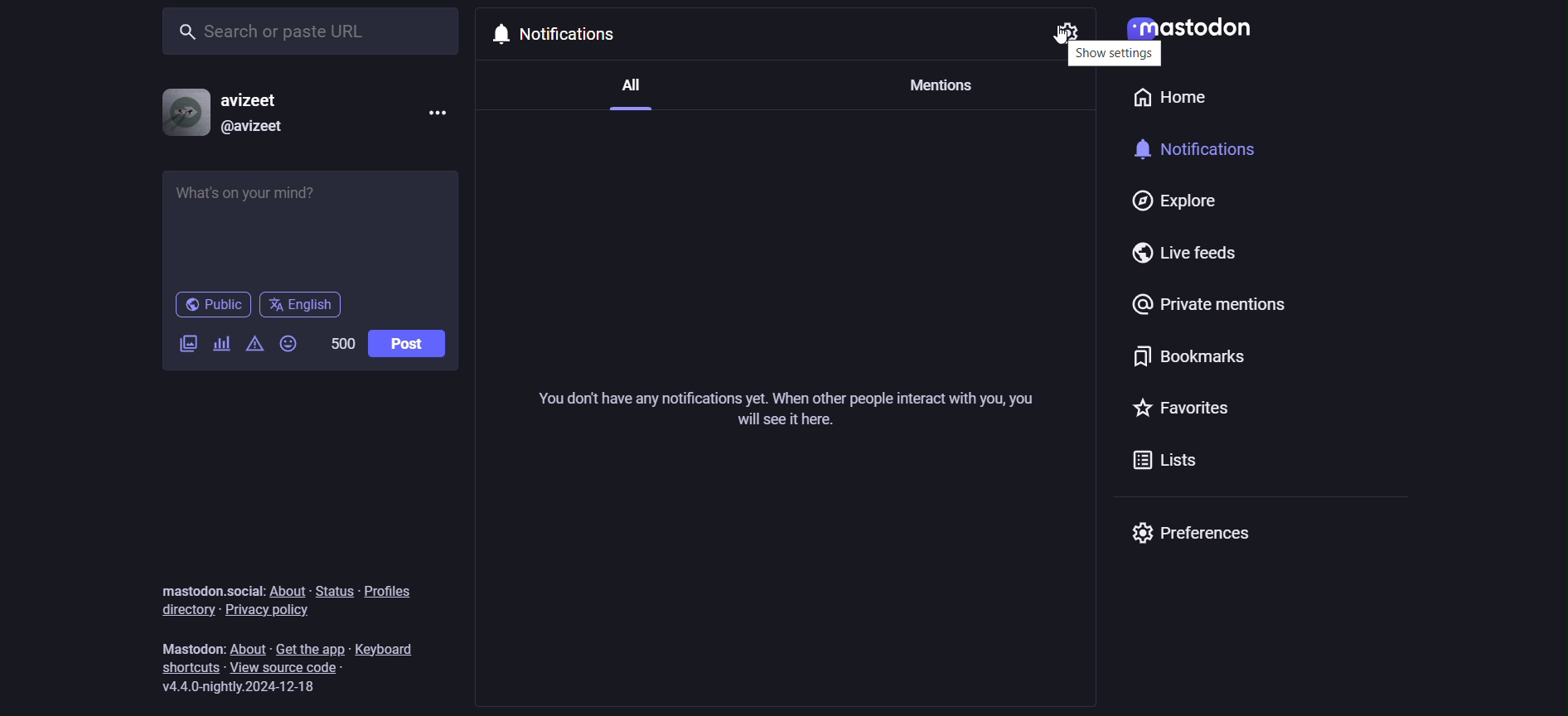  Describe the element at coordinates (397, 588) in the screenshot. I see `profiles` at that location.